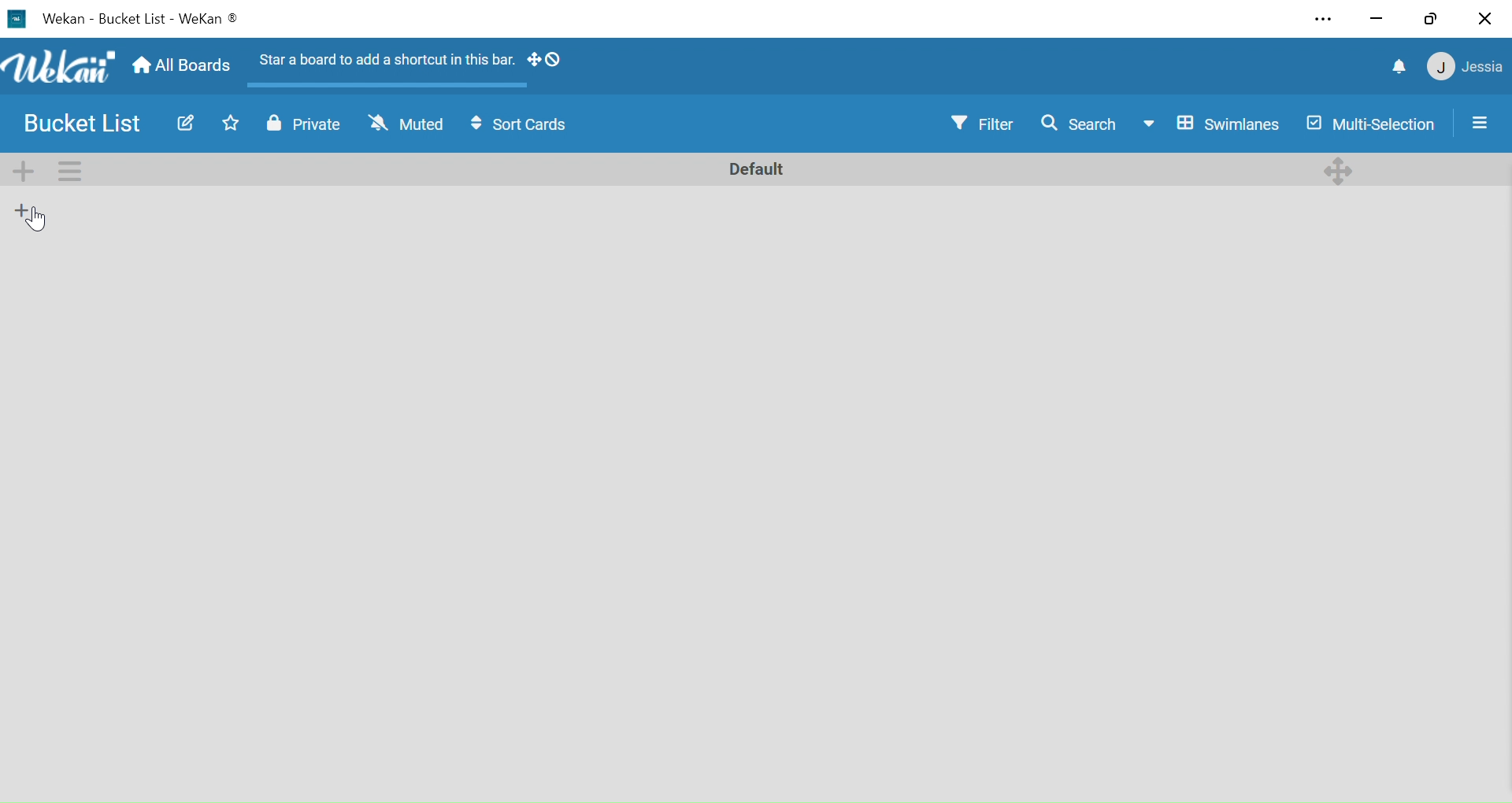 The height and width of the screenshot is (803, 1512). Describe the element at coordinates (1211, 124) in the screenshot. I see `Board view` at that location.